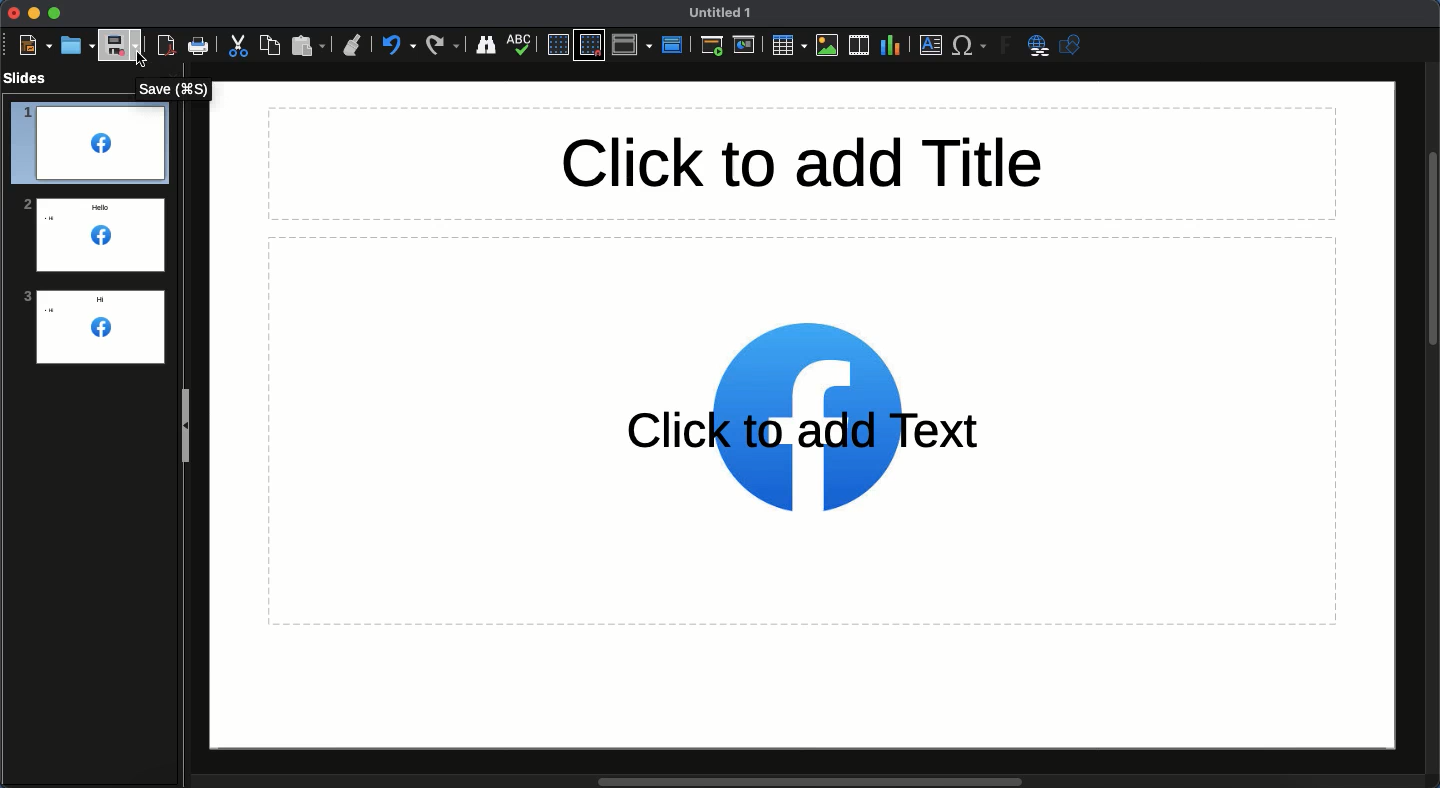  Describe the element at coordinates (28, 76) in the screenshot. I see `Slides` at that location.